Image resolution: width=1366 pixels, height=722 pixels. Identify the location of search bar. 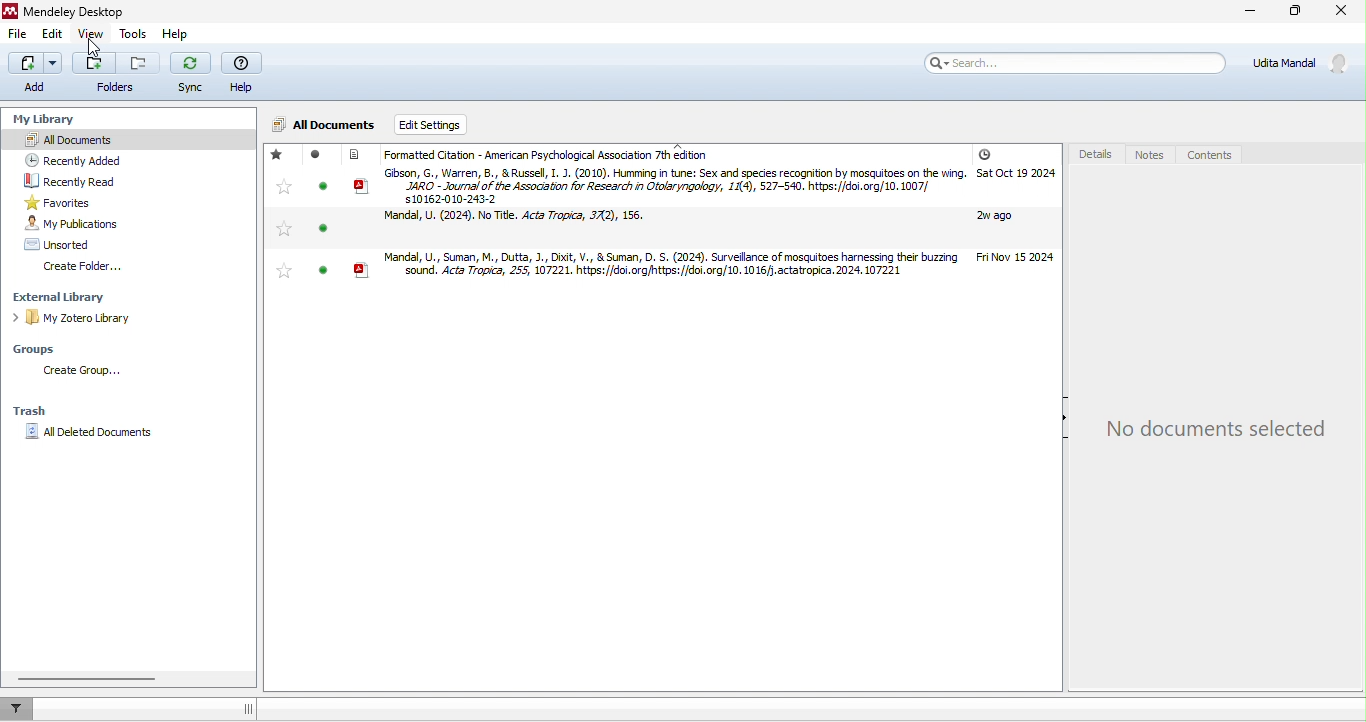
(1077, 64).